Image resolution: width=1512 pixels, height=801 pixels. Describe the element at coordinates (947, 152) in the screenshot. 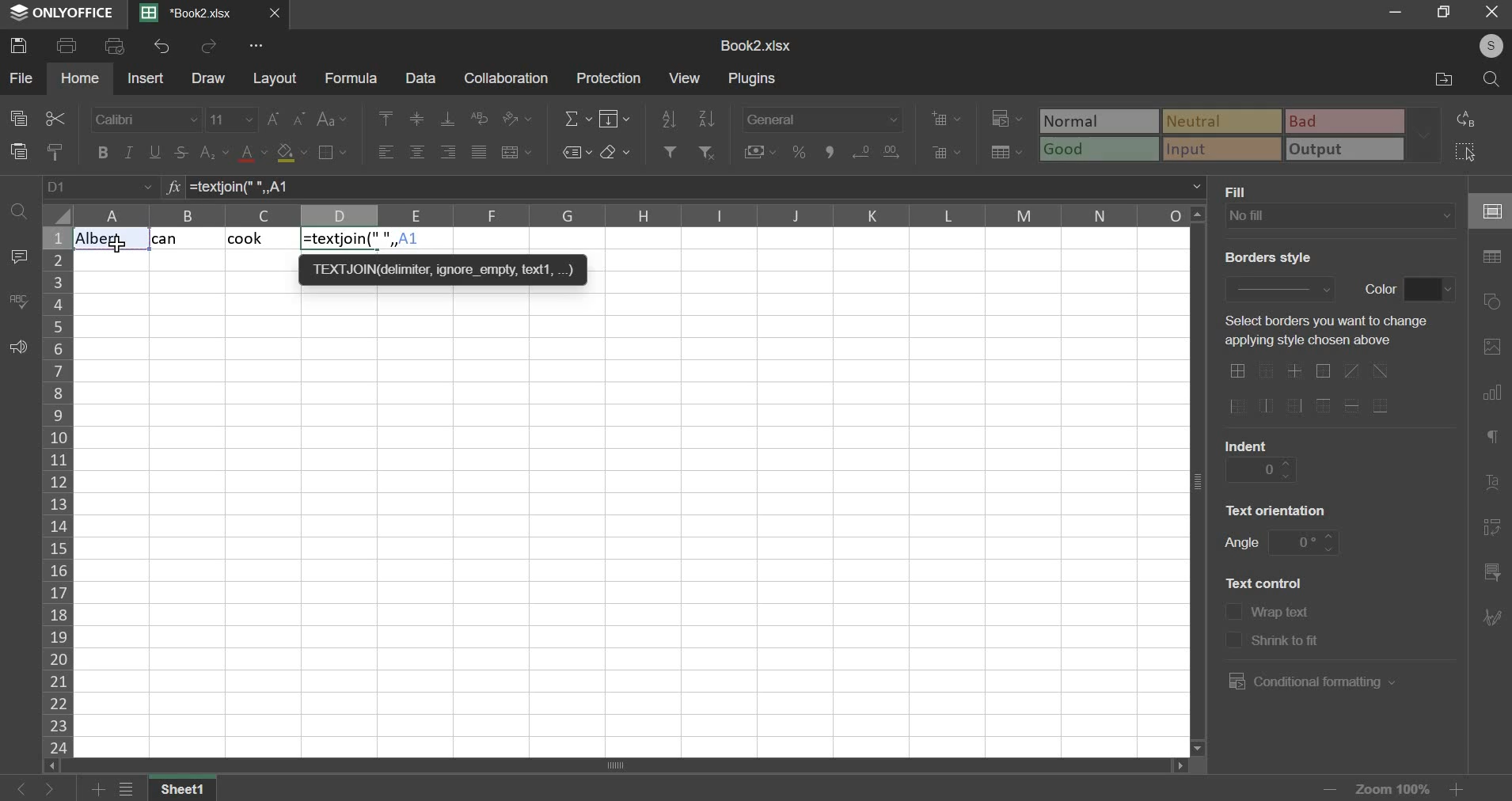

I see `delete cells` at that location.